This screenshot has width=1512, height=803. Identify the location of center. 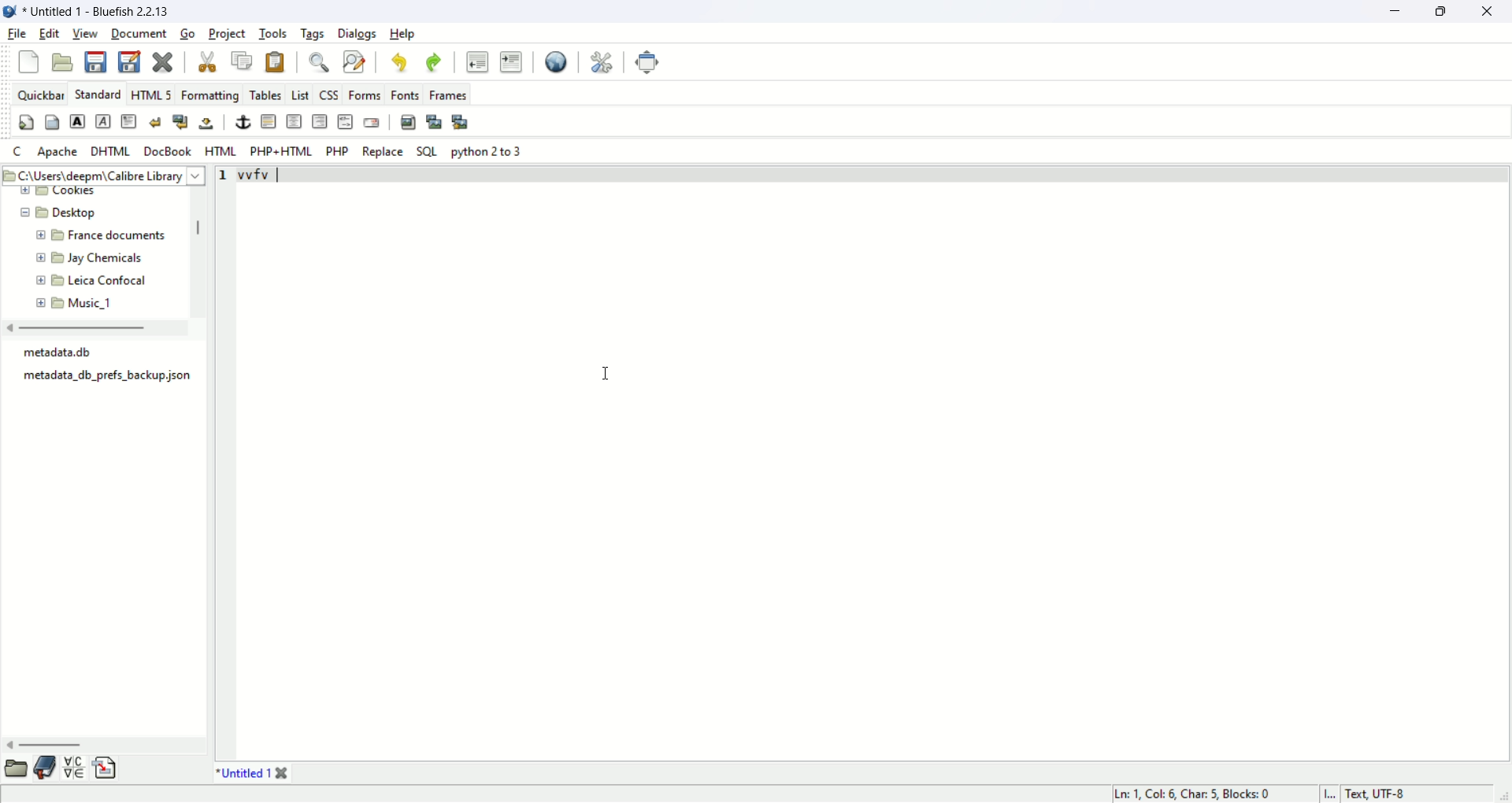
(295, 121).